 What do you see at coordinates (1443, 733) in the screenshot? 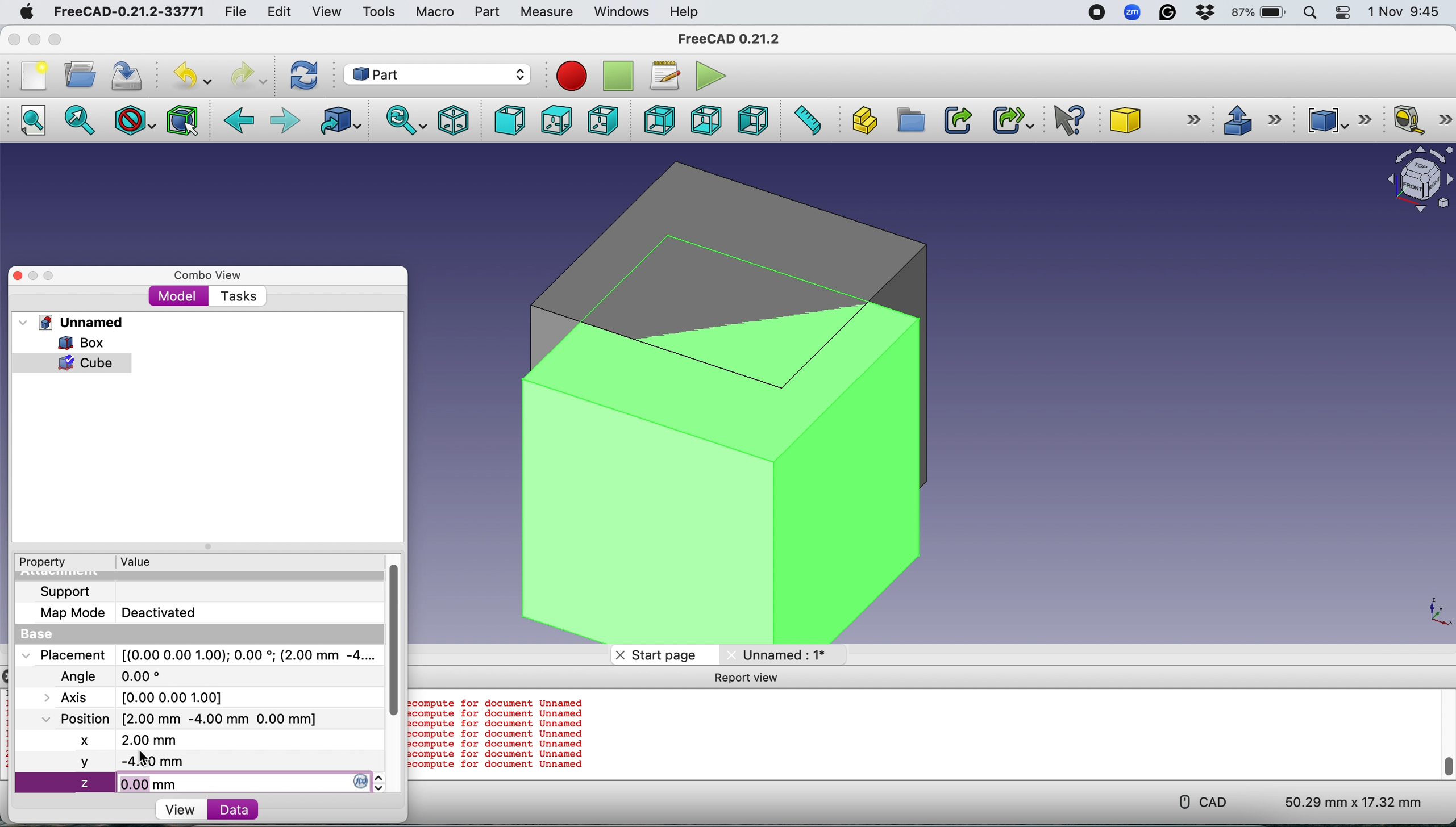
I see `vertical scroll bar` at bounding box center [1443, 733].